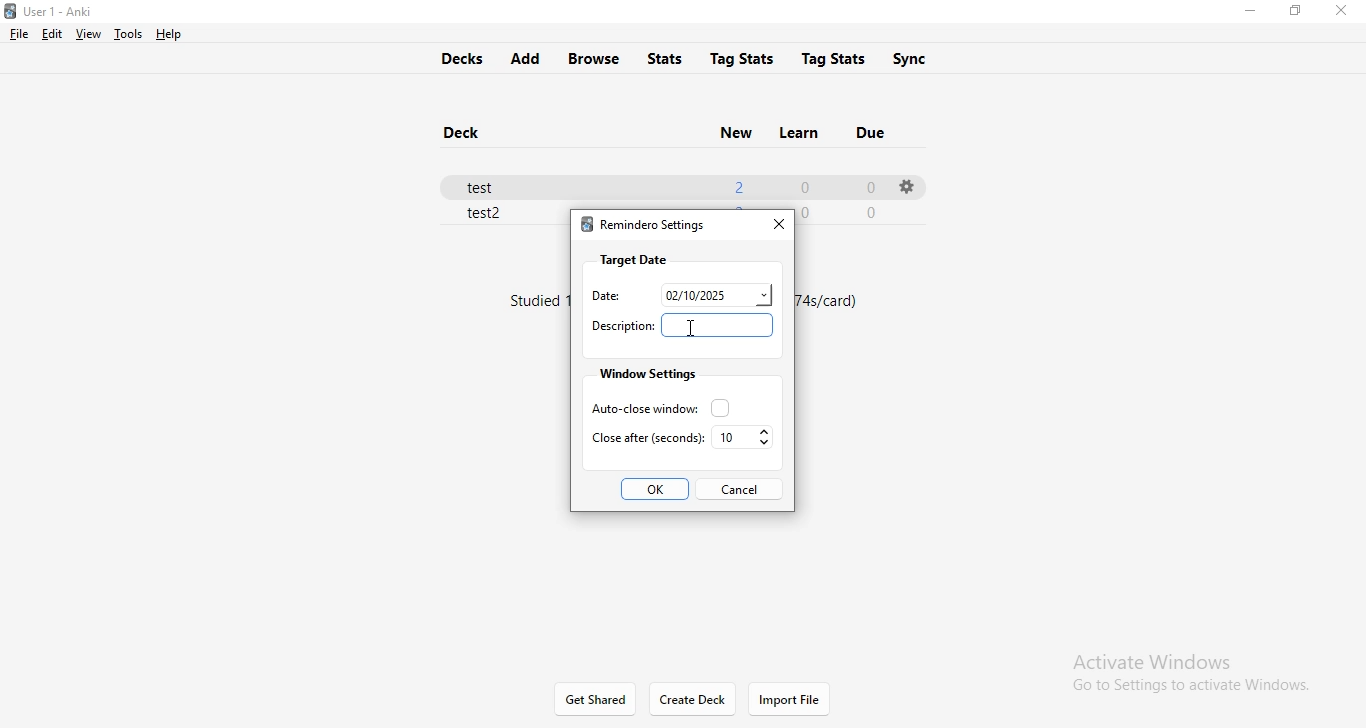 This screenshot has width=1366, height=728. Describe the element at coordinates (645, 437) in the screenshot. I see `close after seconds` at that location.